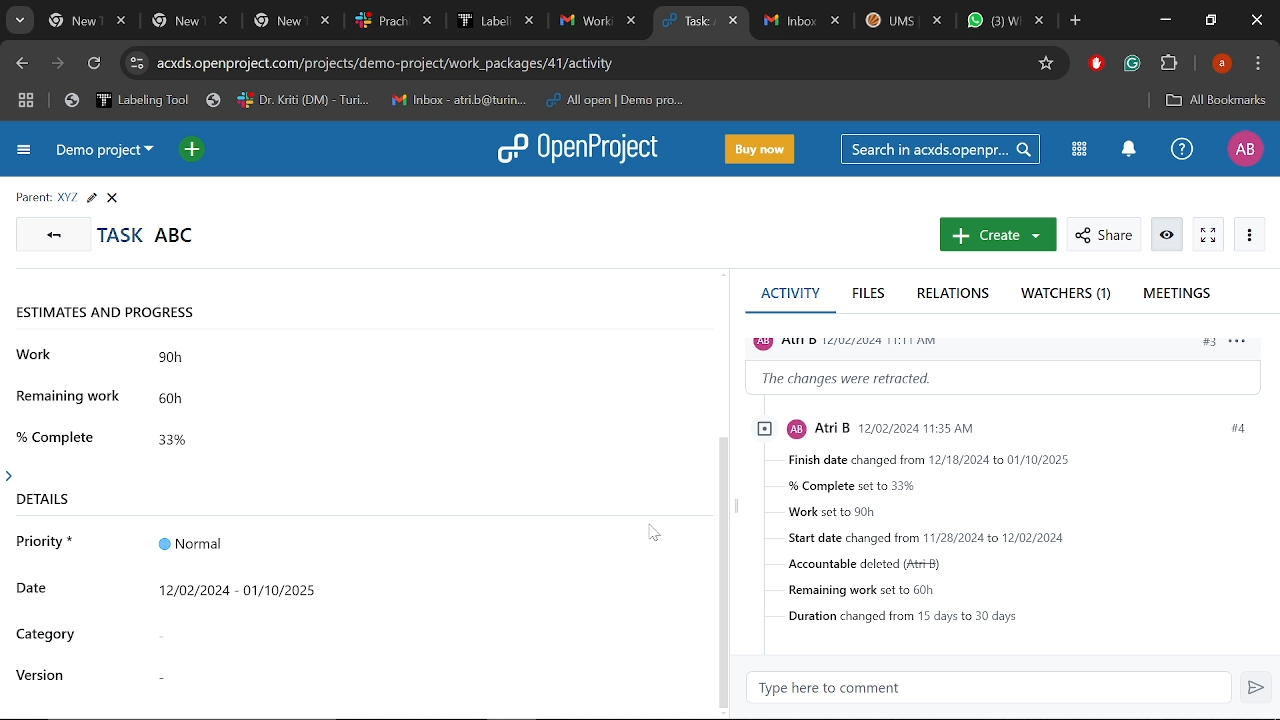  Describe the element at coordinates (1179, 149) in the screenshot. I see `Help` at that location.